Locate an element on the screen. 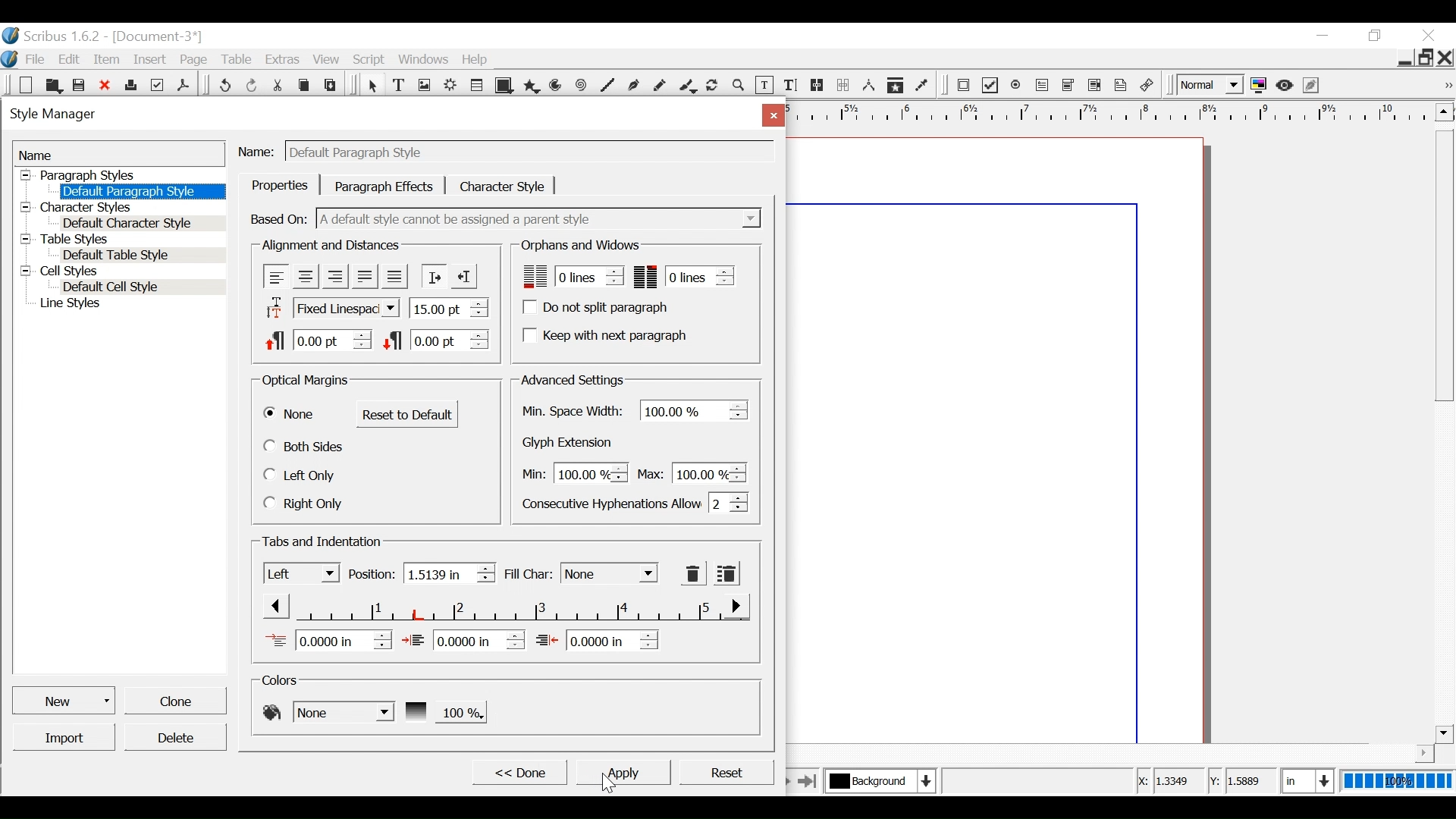  Redo is located at coordinates (253, 84).